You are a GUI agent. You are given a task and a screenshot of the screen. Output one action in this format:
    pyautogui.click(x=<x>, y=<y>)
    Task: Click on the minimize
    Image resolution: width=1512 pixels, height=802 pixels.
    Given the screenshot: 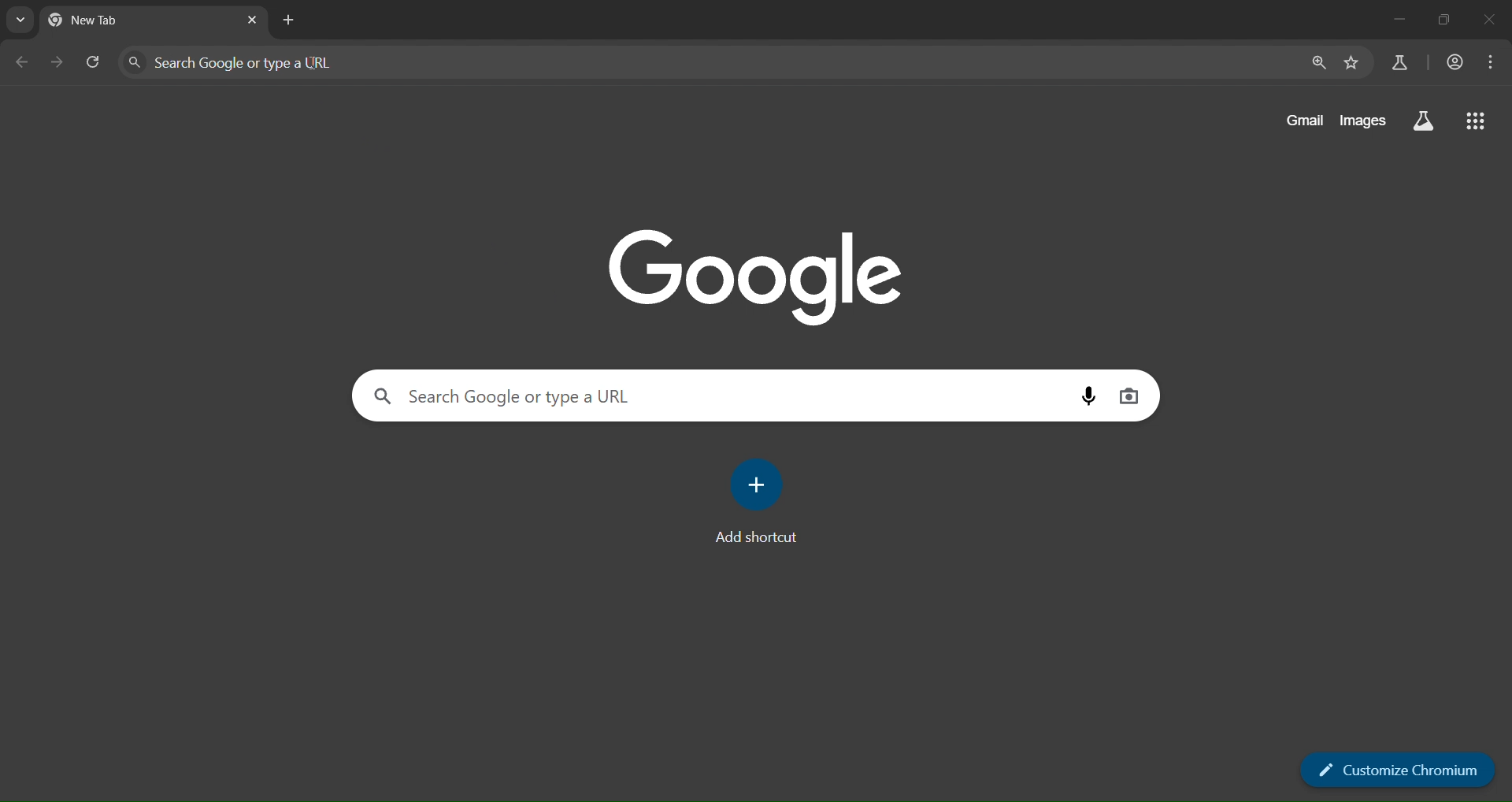 What is the action you would take?
    pyautogui.click(x=1397, y=20)
    